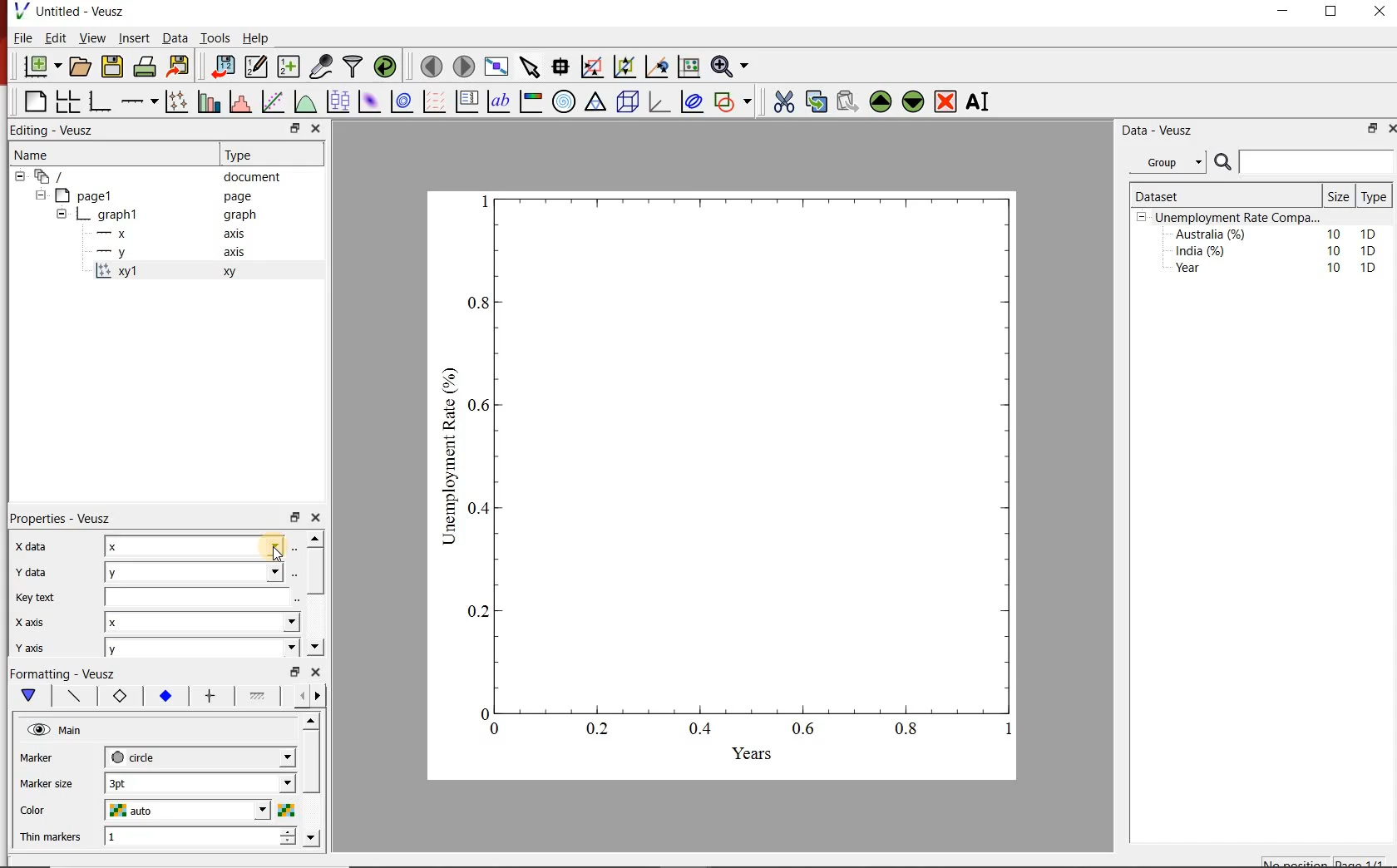 The height and width of the screenshot is (868, 1397). What do you see at coordinates (260, 155) in the screenshot?
I see `Type` at bounding box center [260, 155].